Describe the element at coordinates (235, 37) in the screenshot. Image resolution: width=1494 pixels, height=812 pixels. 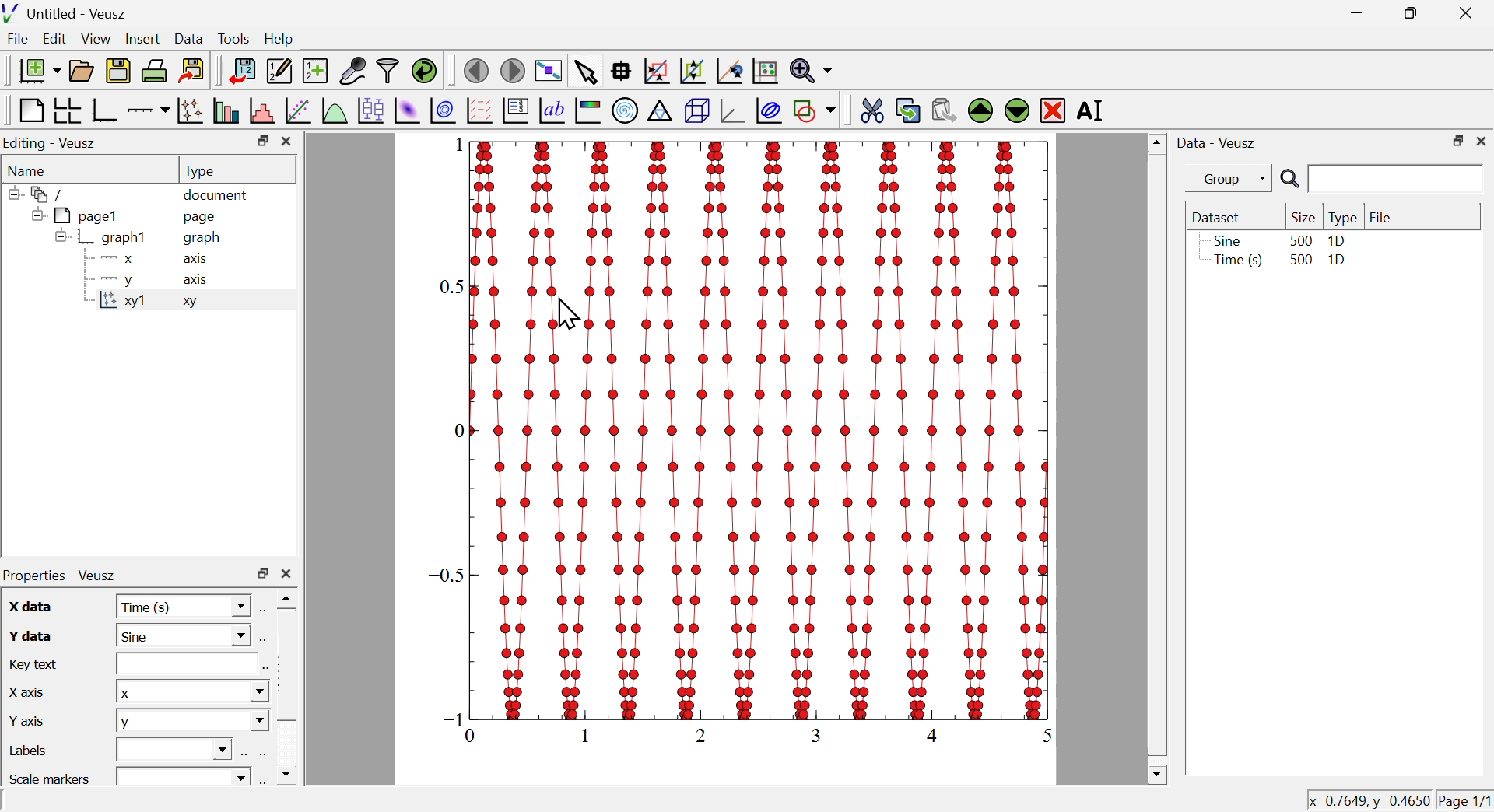
I see `tools` at that location.